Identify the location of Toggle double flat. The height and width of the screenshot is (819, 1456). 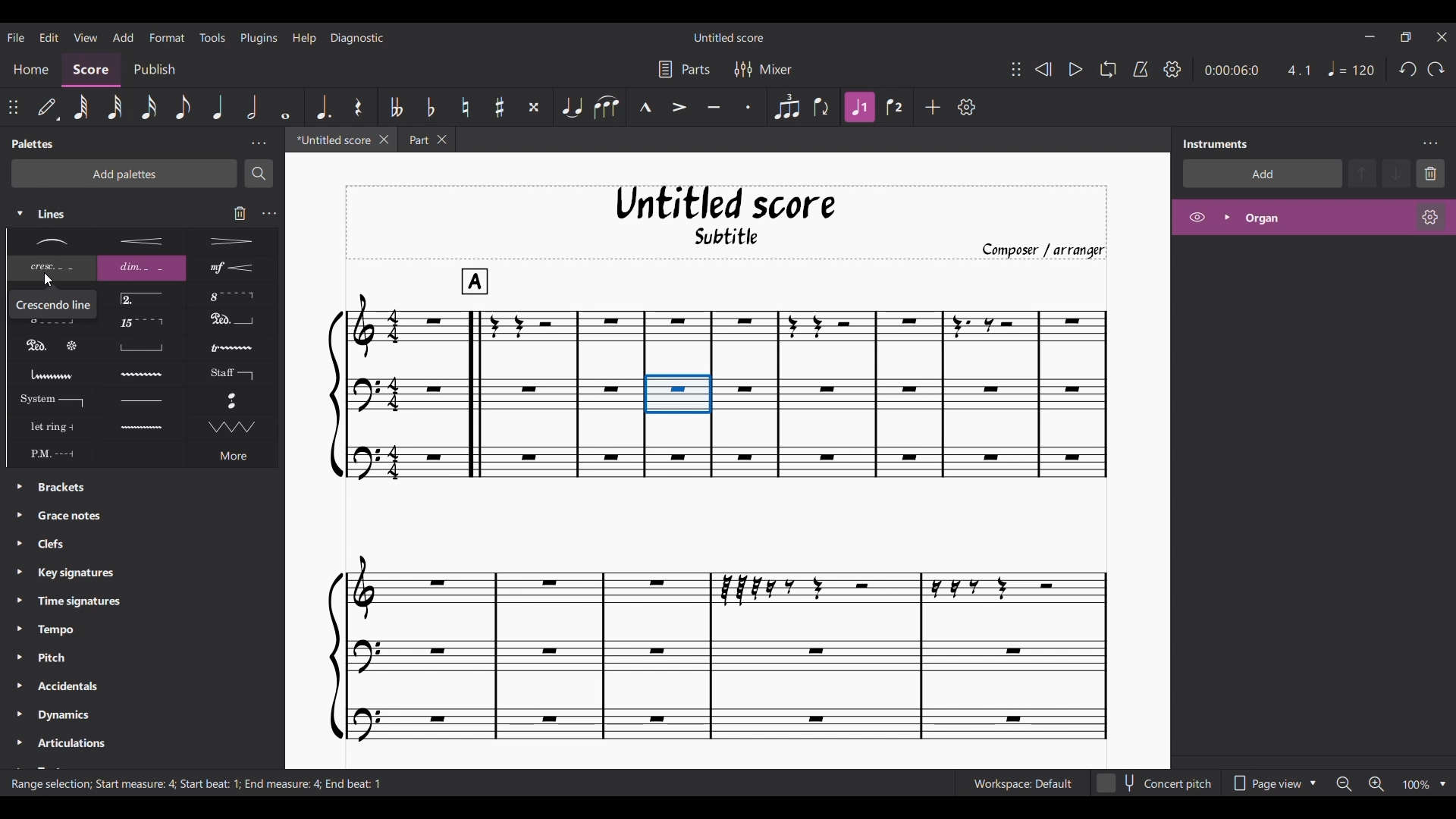
(397, 106).